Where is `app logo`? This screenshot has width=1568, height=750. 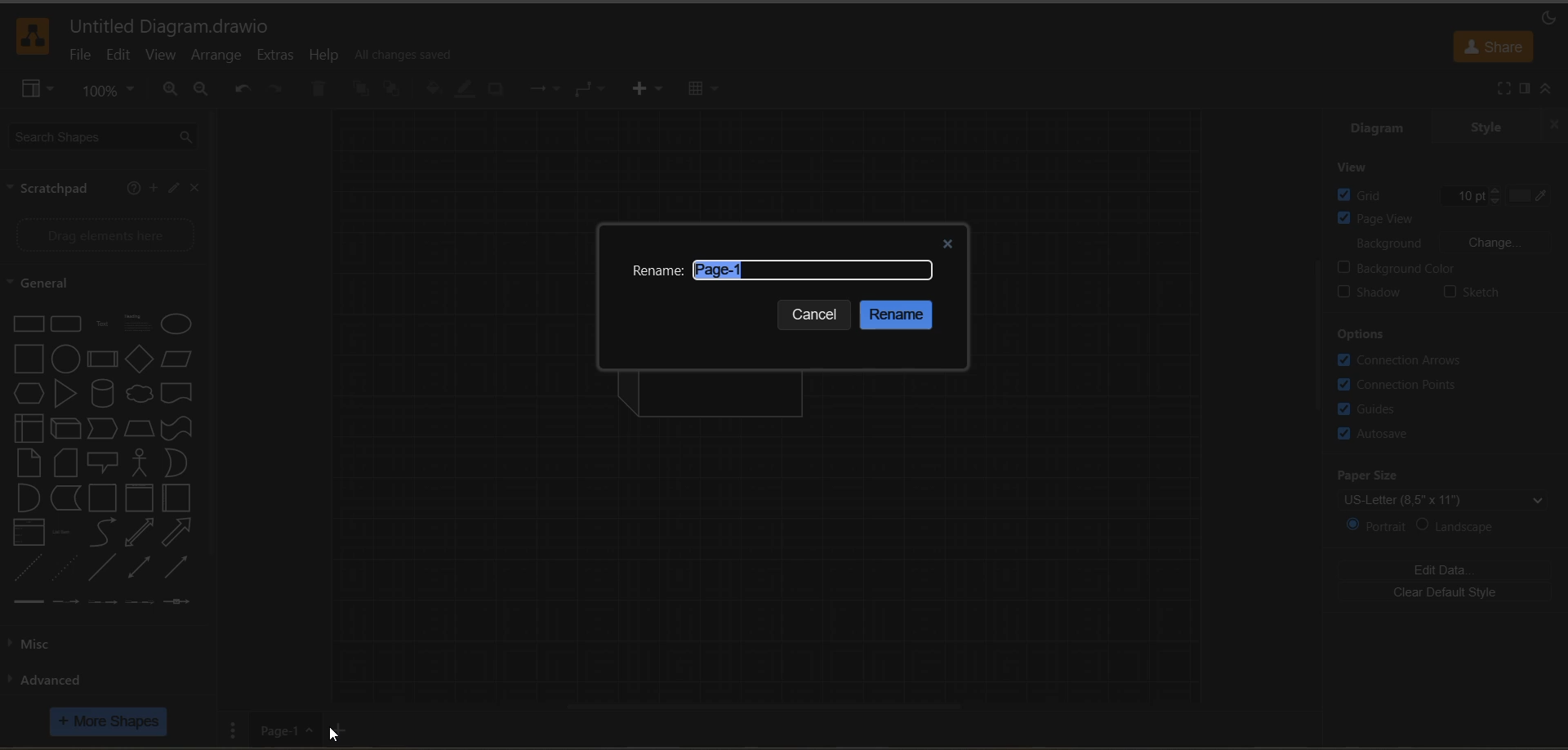
app logo is located at coordinates (34, 36).